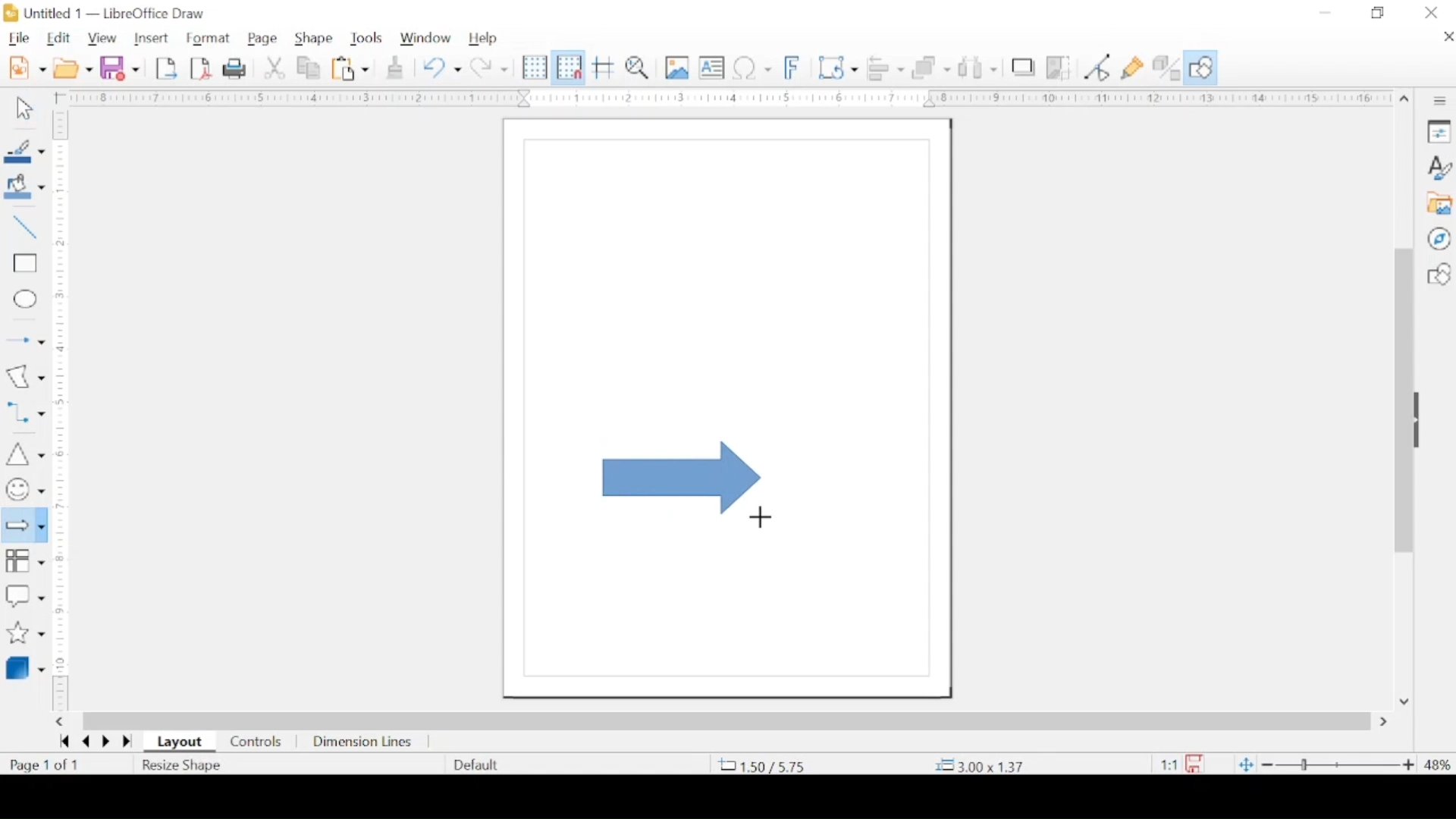 The height and width of the screenshot is (819, 1456). What do you see at coordinates (24, 525) in the screenshot?
I see `block arrow` at bounding box center [24, 525].